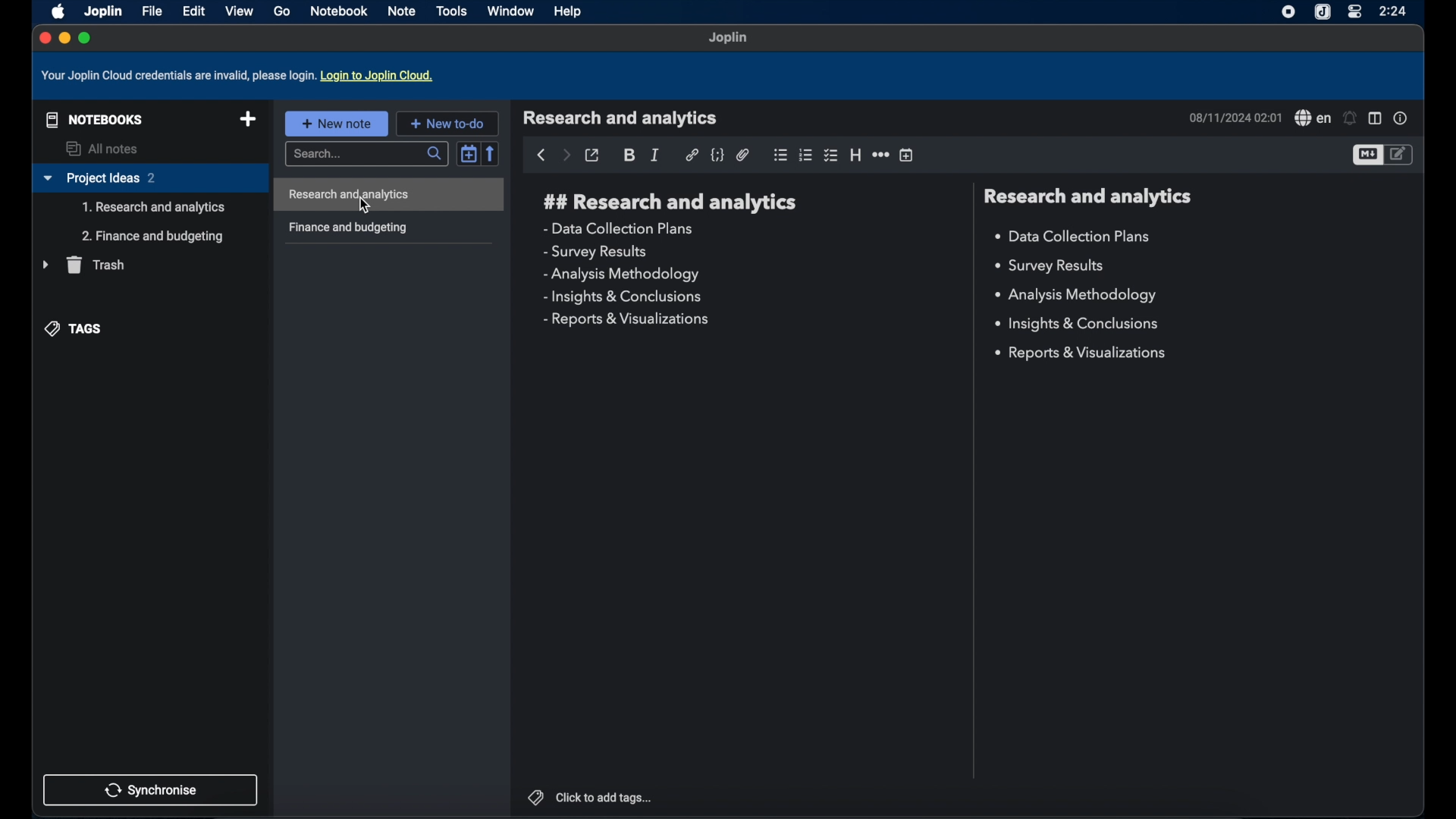  Describe the element at coordinates (365, 155) in the screenshot. I see `search bar` at that location.